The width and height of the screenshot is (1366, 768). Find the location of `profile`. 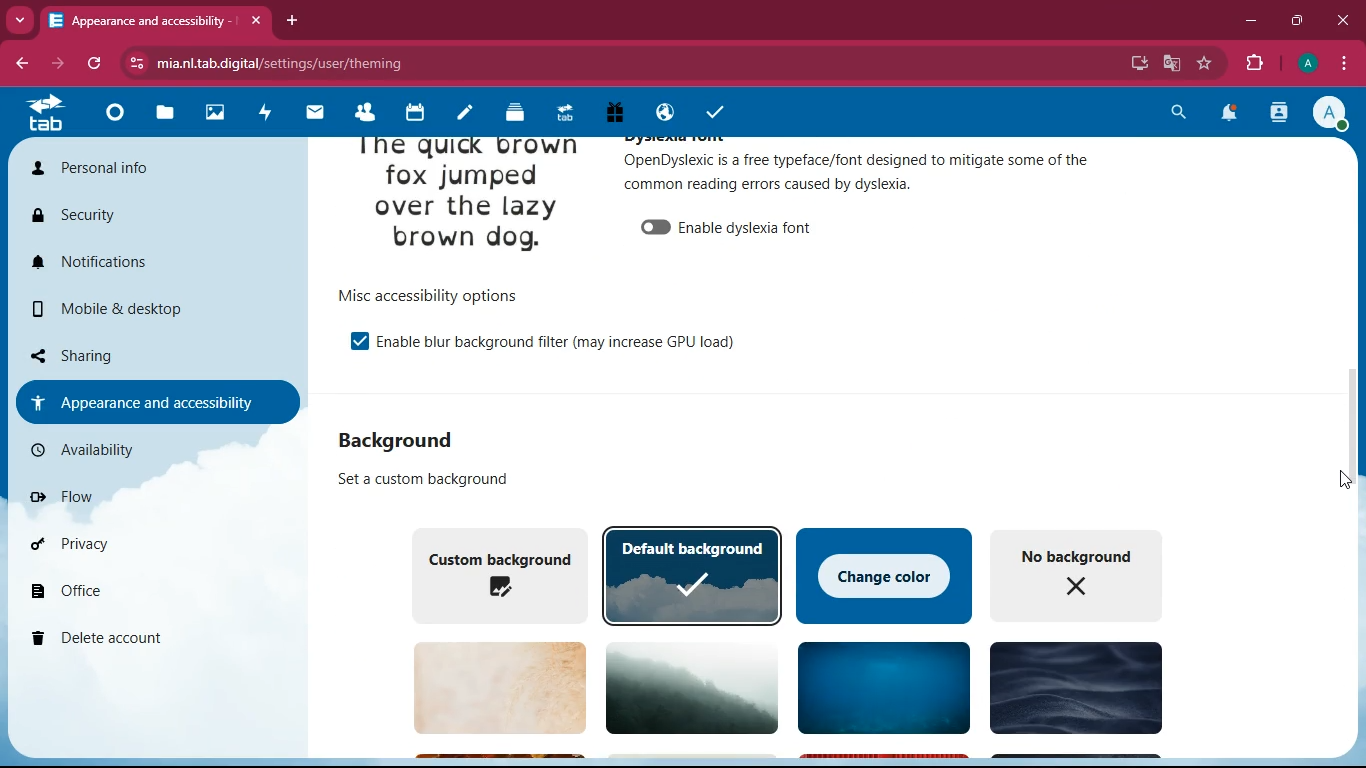

profile is located at coordinates (1334, 114).